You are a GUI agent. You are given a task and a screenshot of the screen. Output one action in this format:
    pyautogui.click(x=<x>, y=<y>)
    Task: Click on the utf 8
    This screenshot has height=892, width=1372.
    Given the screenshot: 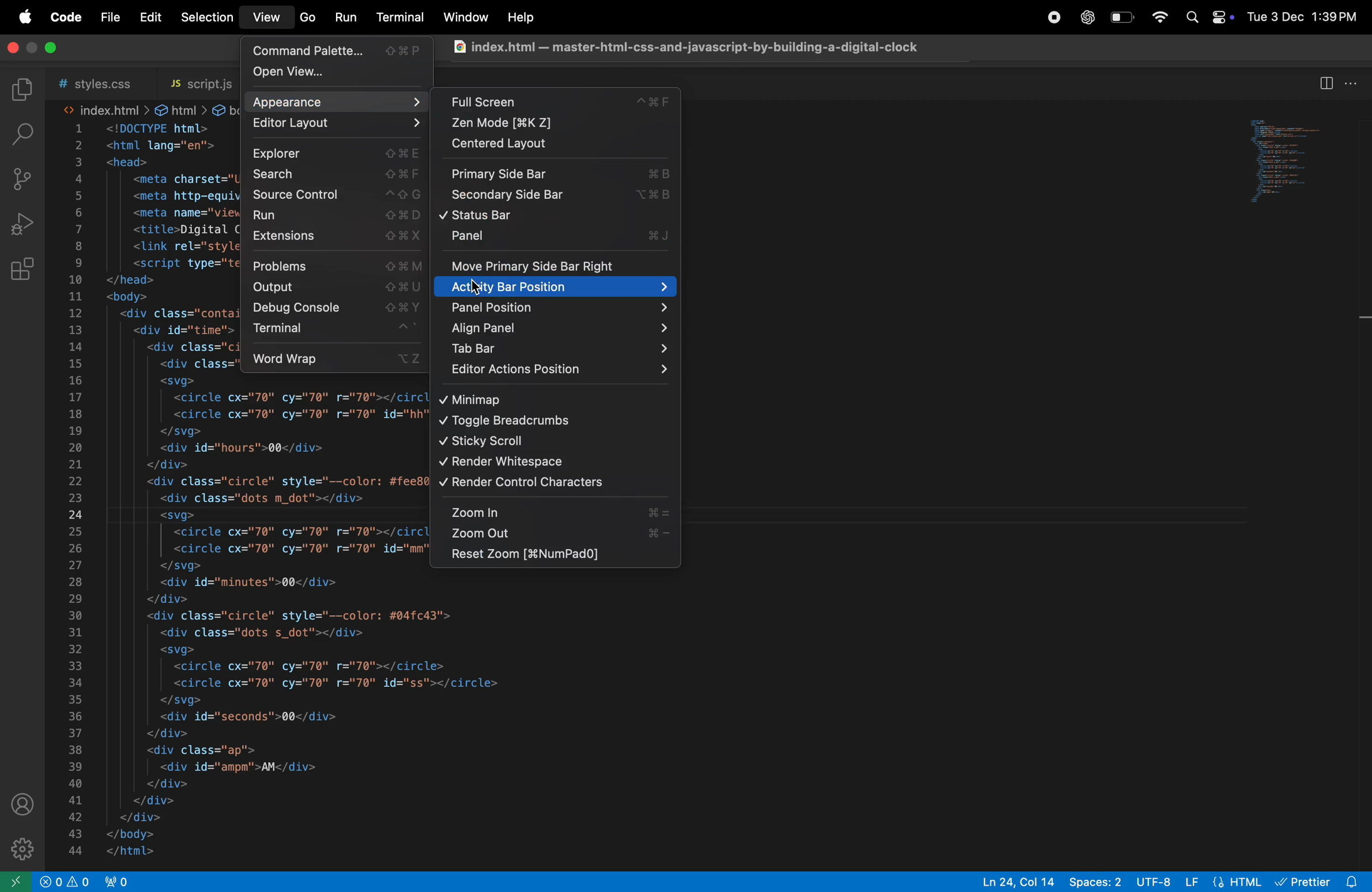 What is the action you would take?
    pyautogui.click(x=1153, y=879)
    